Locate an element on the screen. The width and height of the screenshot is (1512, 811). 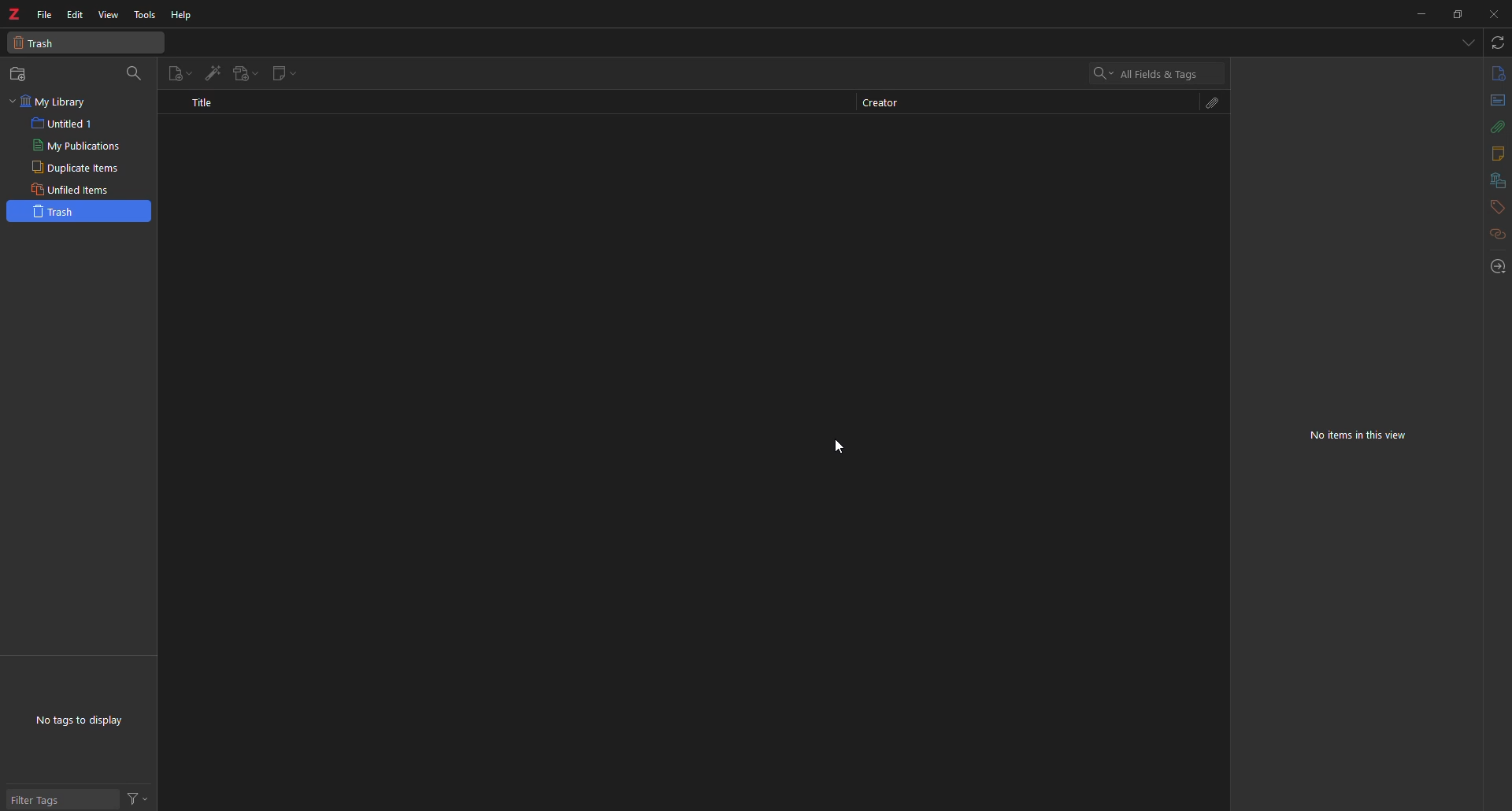
add attachment is located at coordinates (243, 73).